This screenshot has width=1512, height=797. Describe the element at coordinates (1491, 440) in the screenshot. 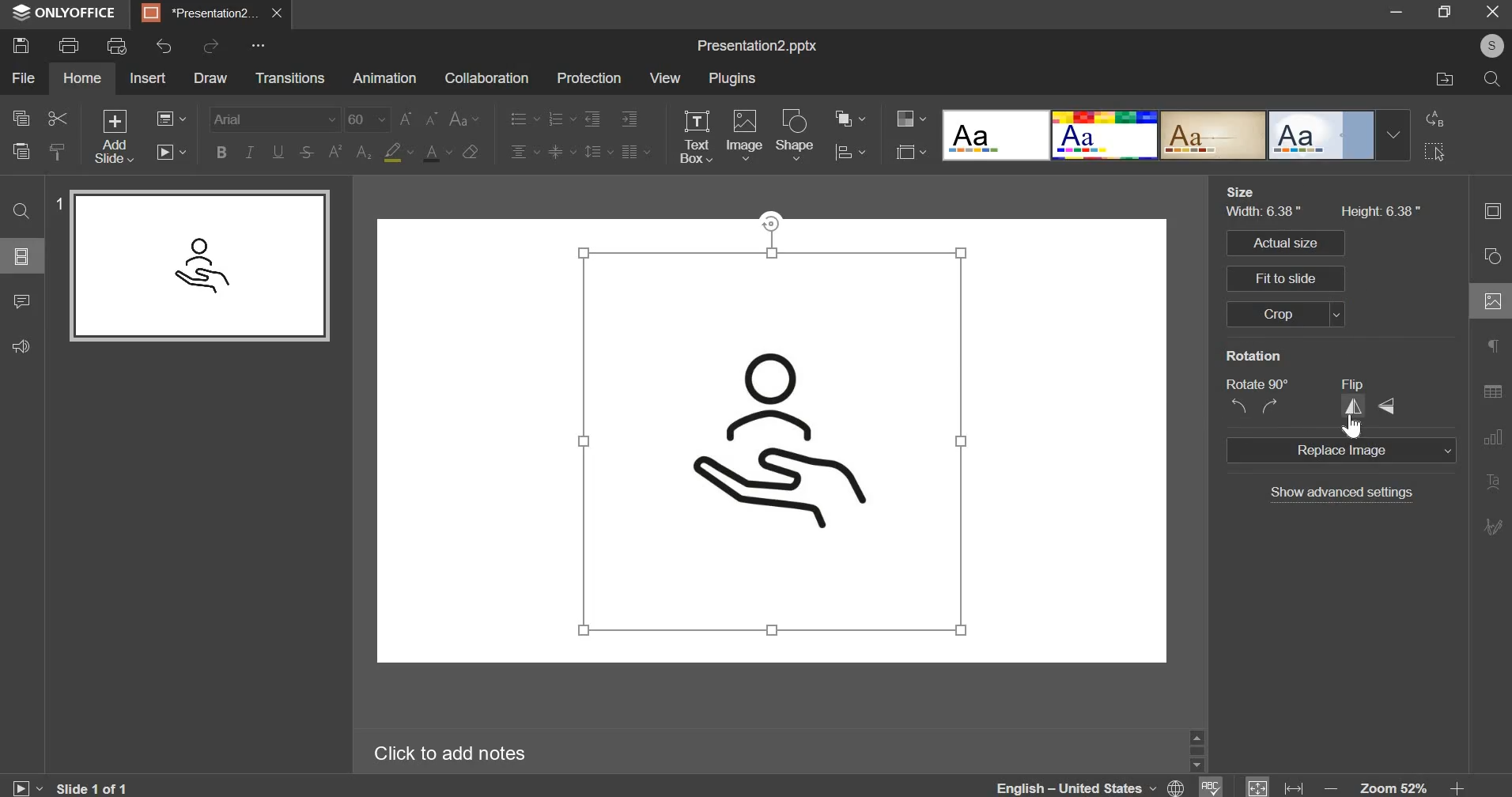

I see `chart` at that location.